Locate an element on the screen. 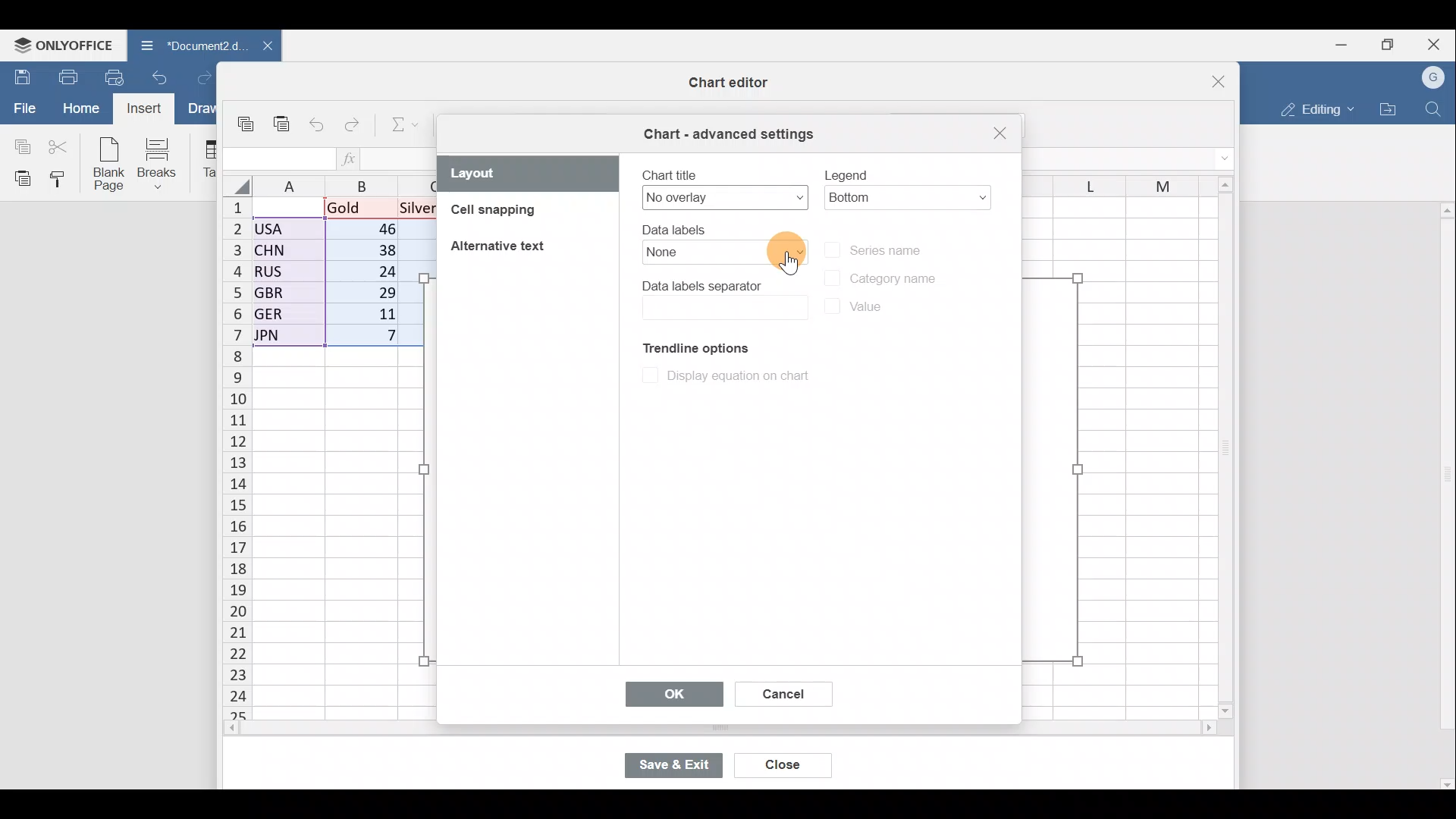 The height and width of the screenshot is (819, 1456). Cell snapping is located at coordinates (517, 212).